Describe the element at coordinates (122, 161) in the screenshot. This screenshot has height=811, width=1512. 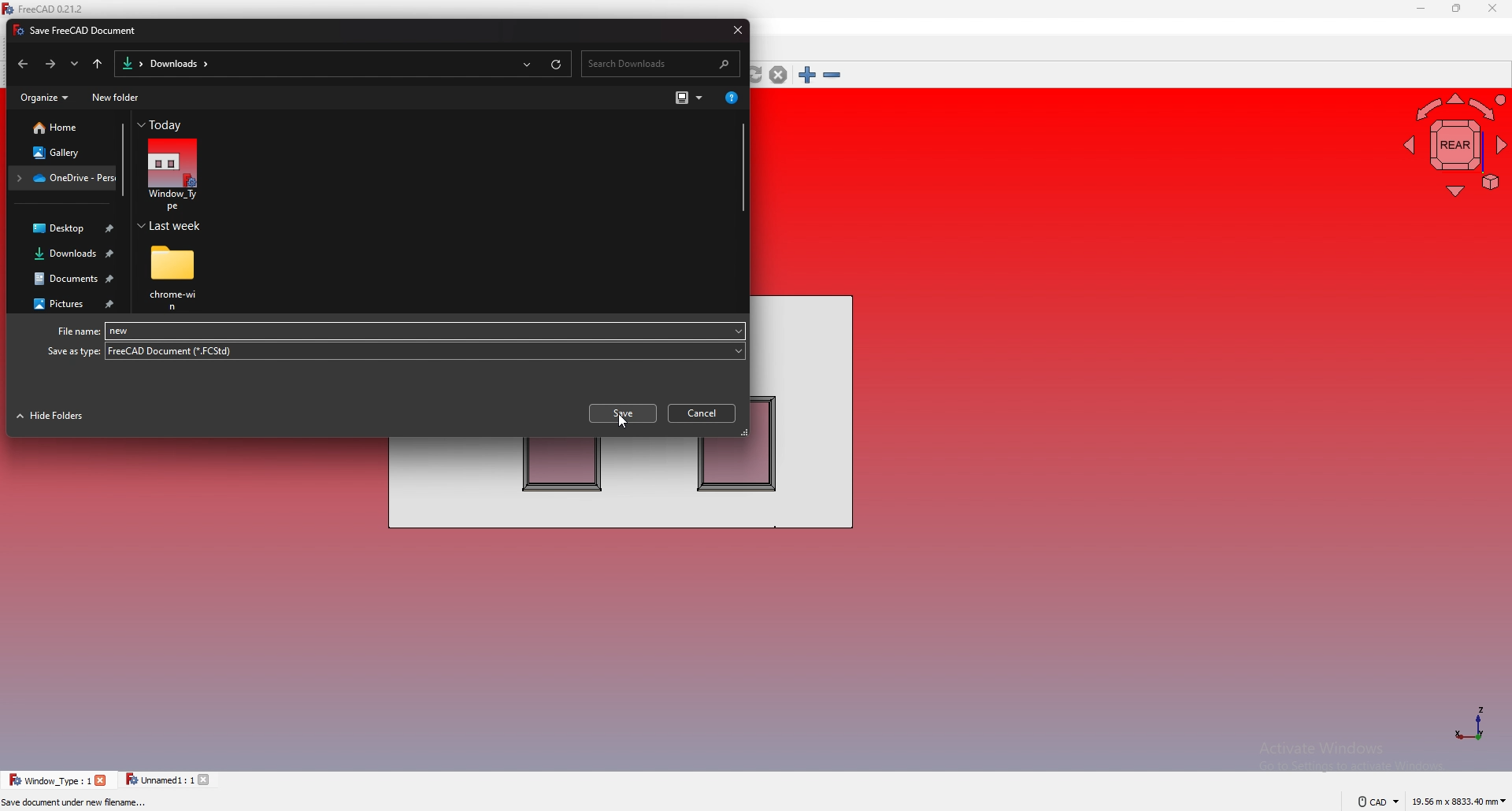
I see `scroll bar` at that location.